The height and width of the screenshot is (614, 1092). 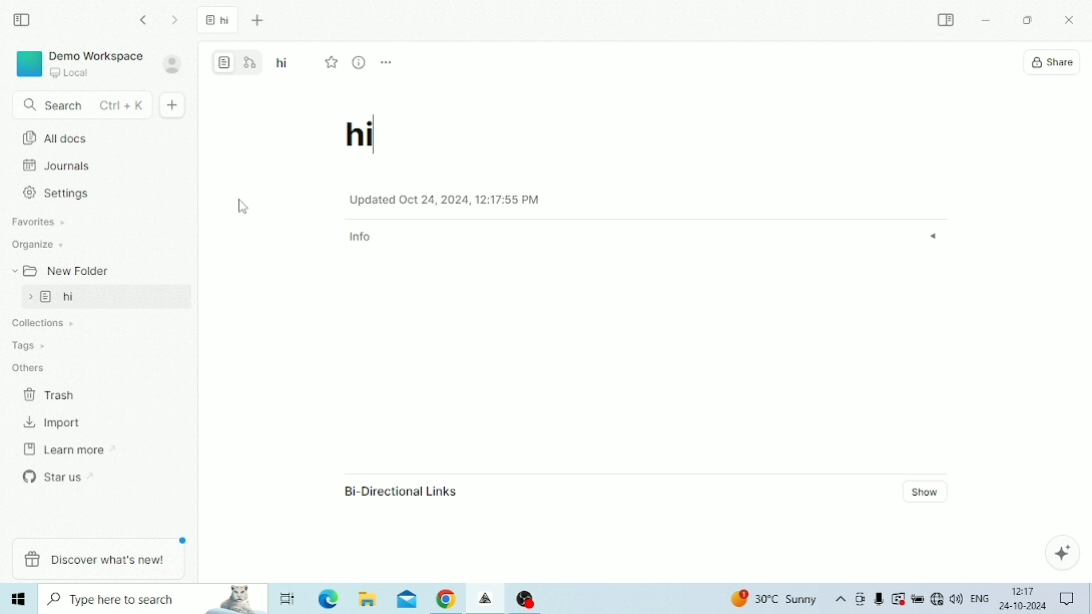 I want to click on Discover what's new!, so click(x=98, y=560).